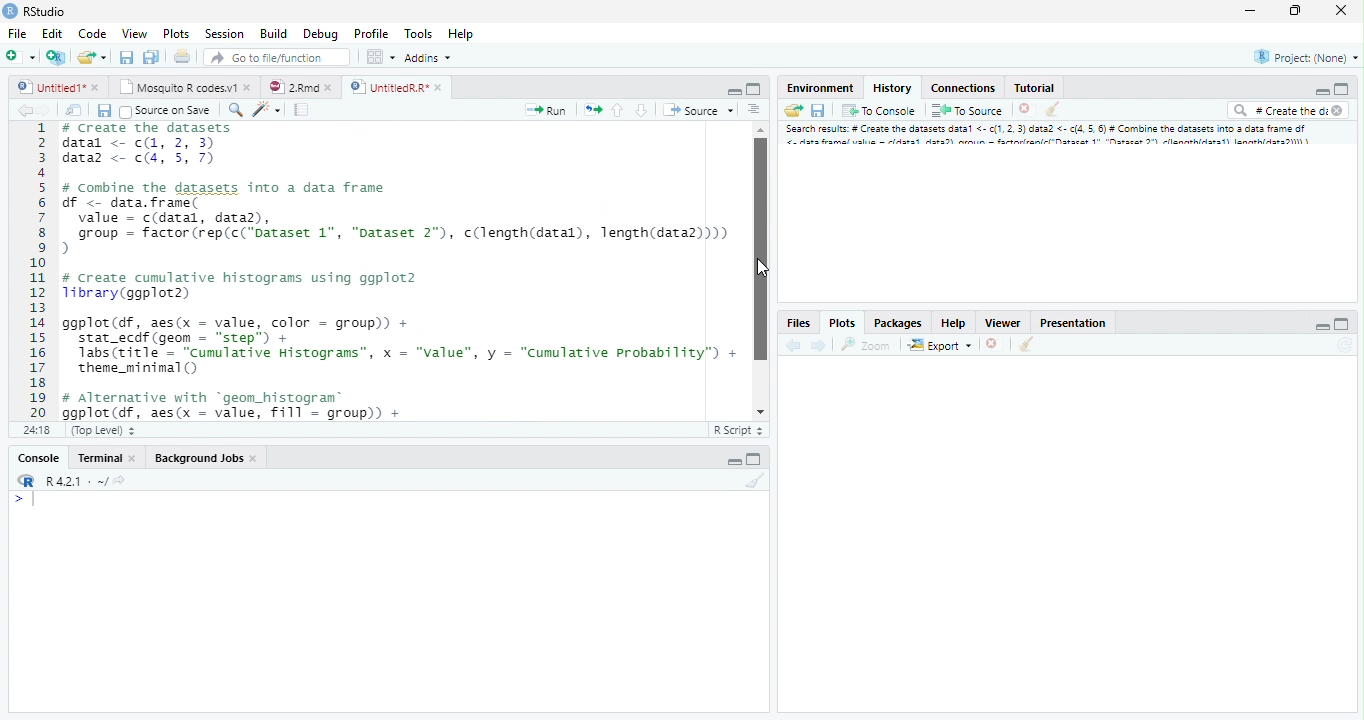 Image resolution: width=1364 pixels, height=720 pixels. Describe the element at coordinates (795, 113) in the screenshot. I see `Load Workspace` at that location.